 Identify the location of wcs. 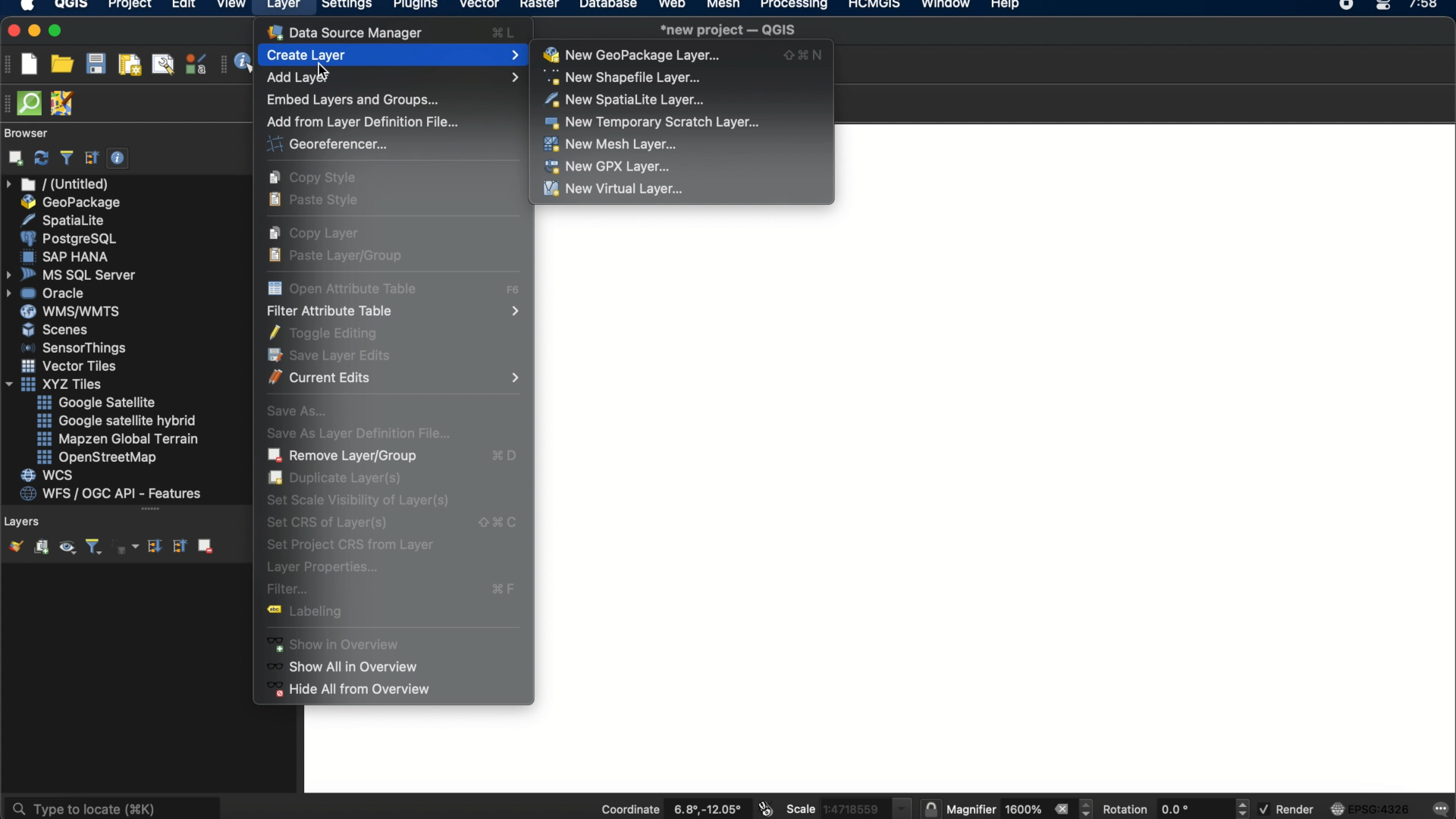
(49, 476).